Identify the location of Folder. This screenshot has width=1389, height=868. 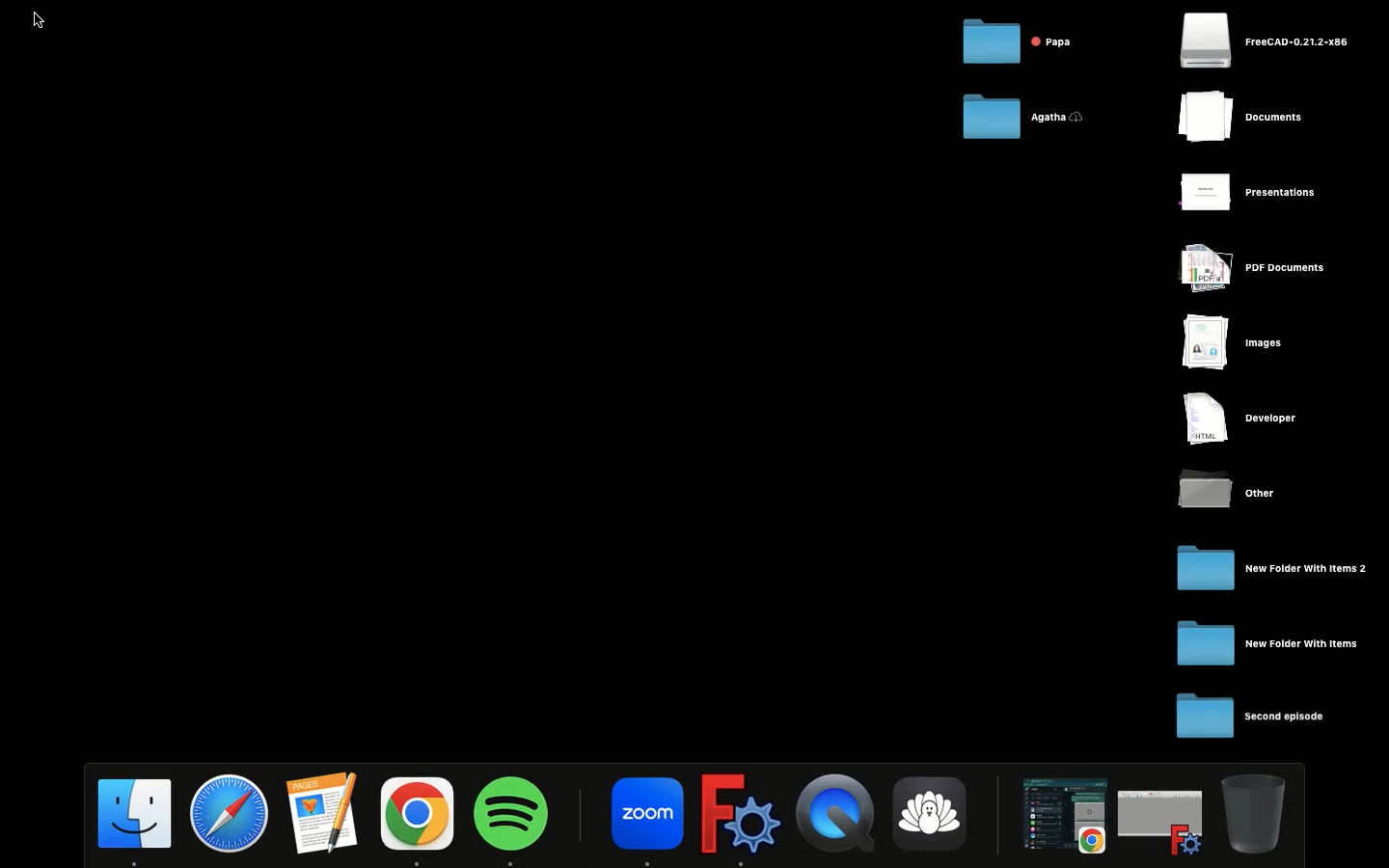
(1273, 566).